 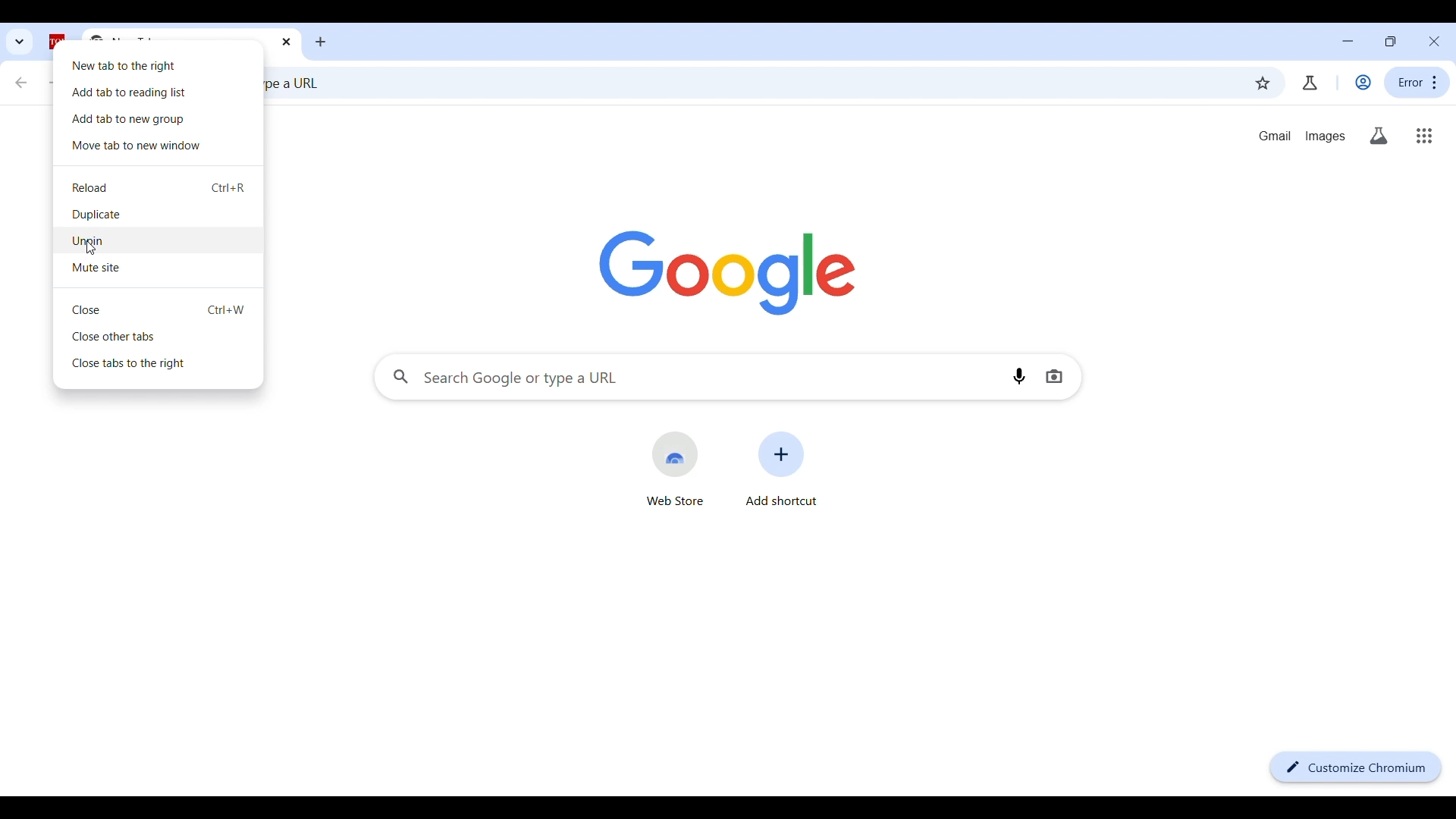 What do you see at coordinates (286, 42) in the screenshot?
I see `Close current tab` at bounding box center [286, 42].